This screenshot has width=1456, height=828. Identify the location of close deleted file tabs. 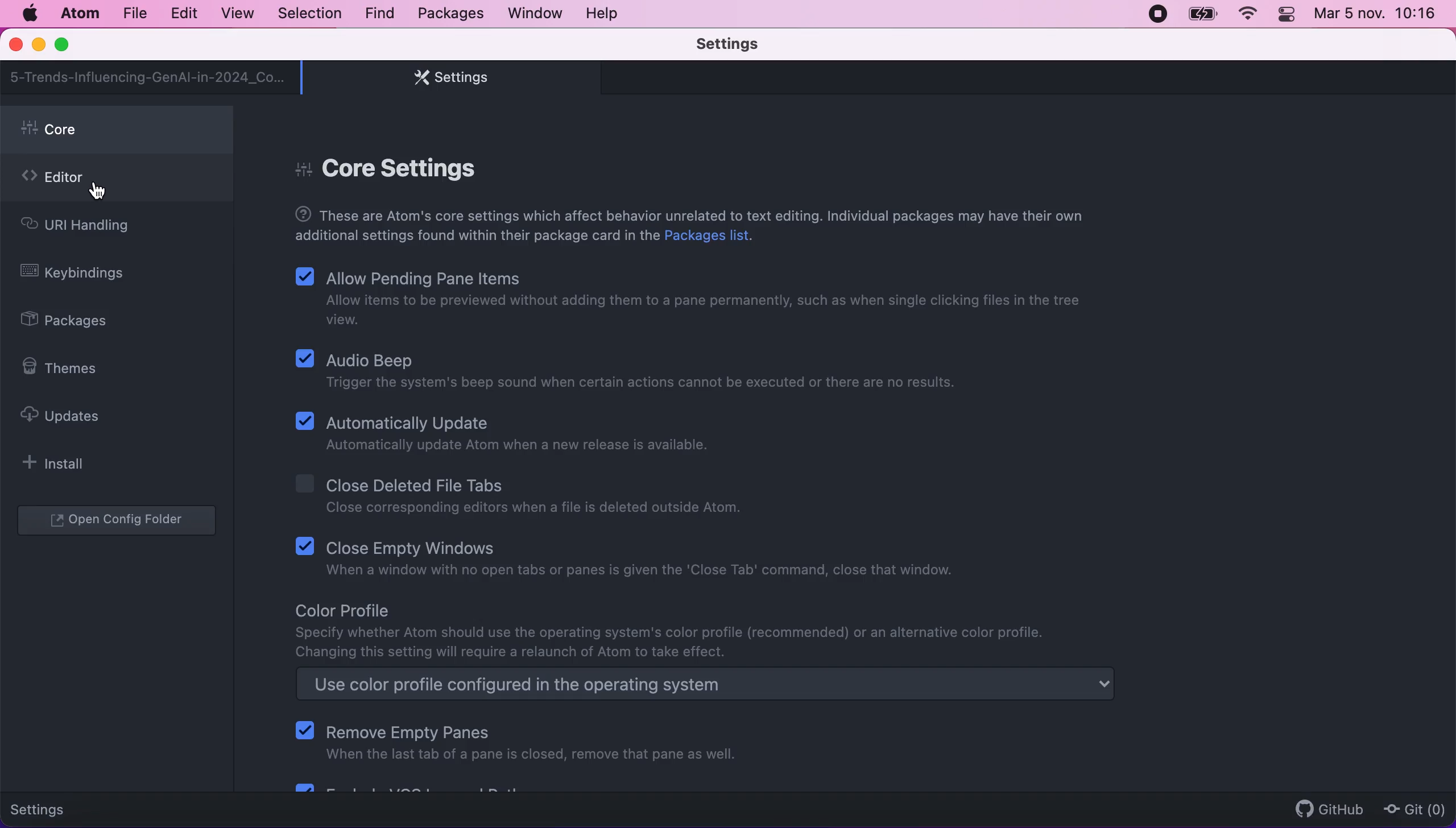
(525, 498).